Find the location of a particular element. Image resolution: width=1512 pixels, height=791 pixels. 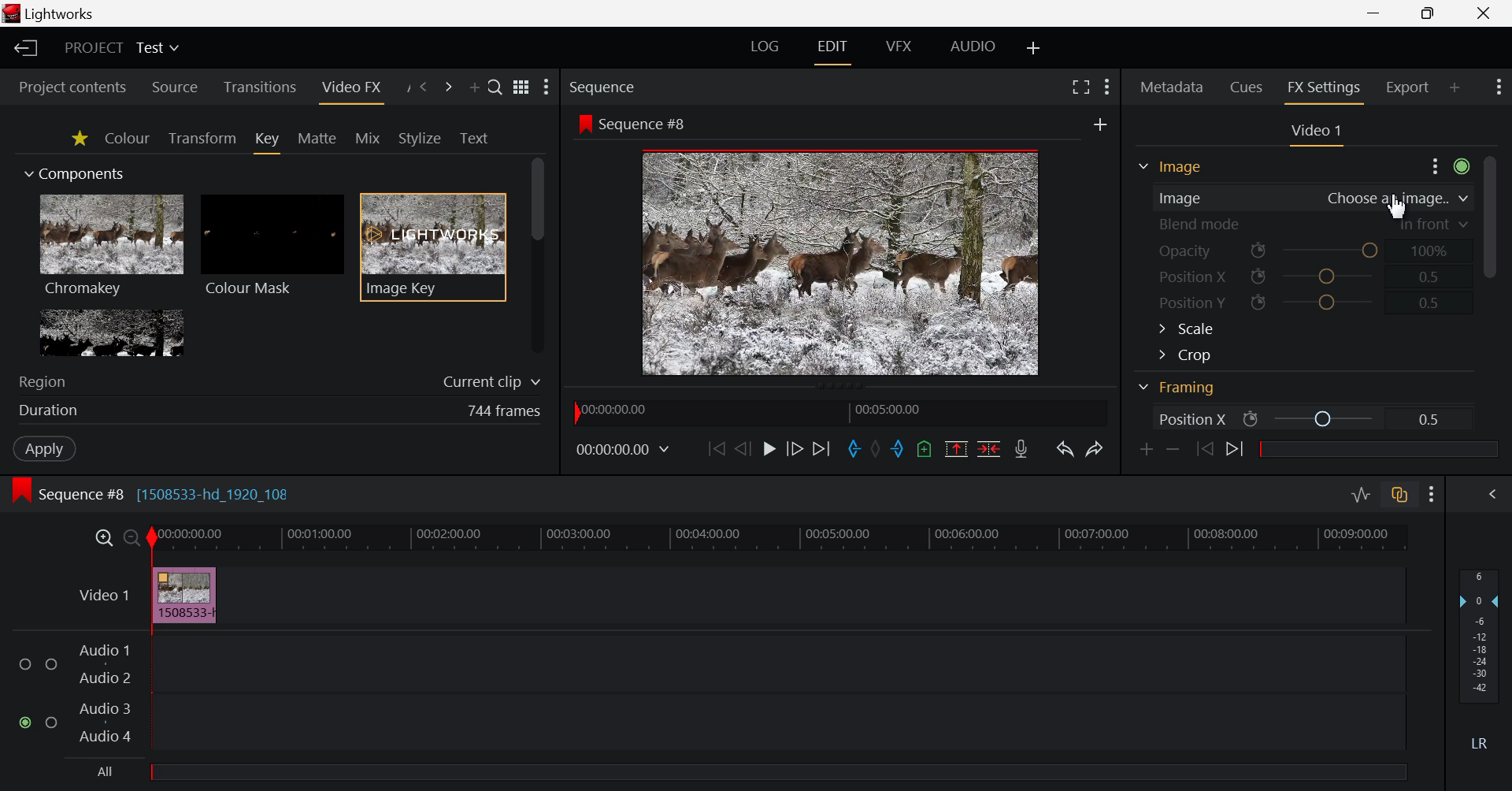

VFX Layout is located at coordinates (897, 49).